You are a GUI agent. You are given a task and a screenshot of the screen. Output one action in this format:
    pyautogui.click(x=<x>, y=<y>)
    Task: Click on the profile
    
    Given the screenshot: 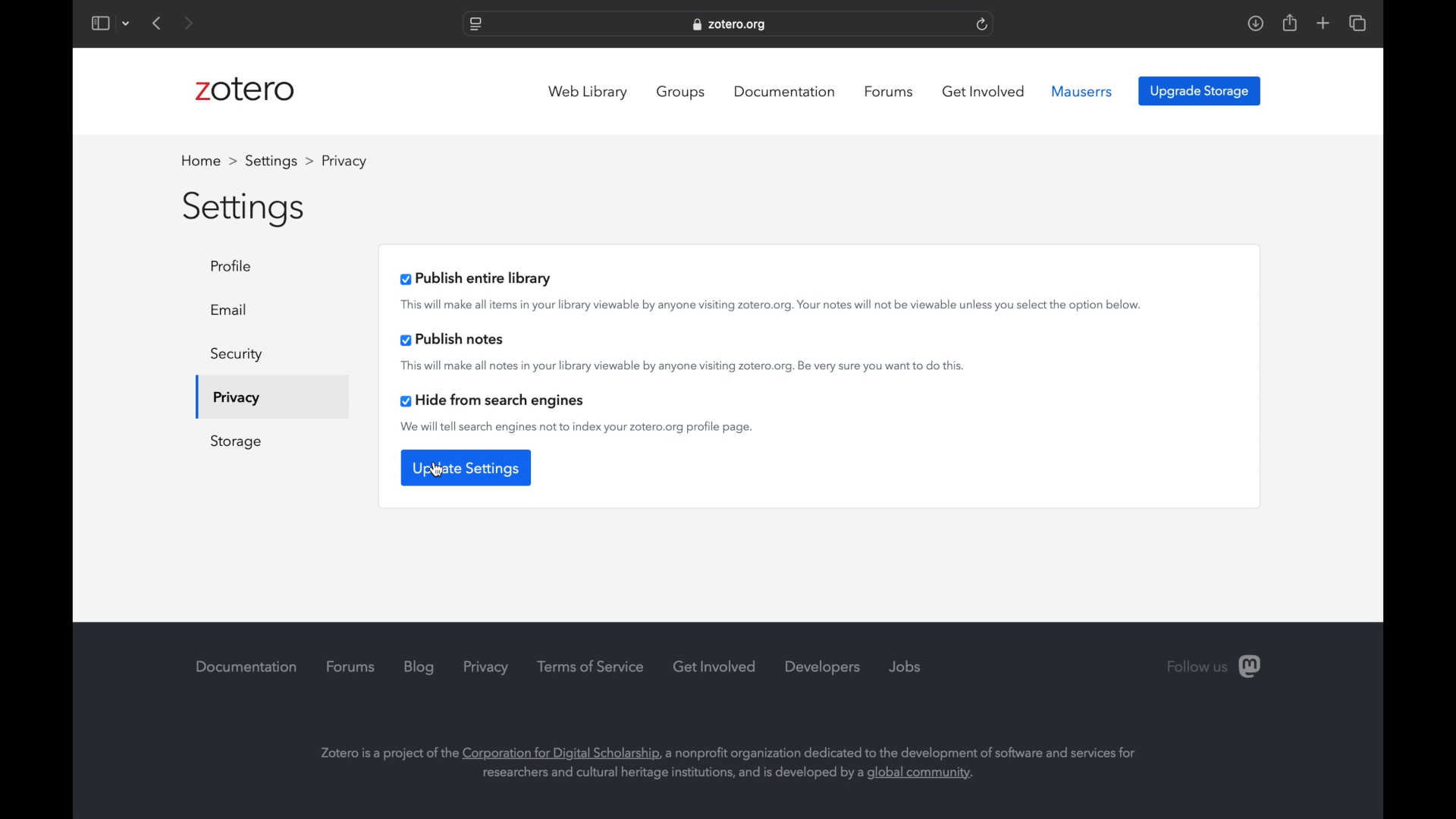 What is the action you would take?
    pyautogui.click(x=342, y=161)
    